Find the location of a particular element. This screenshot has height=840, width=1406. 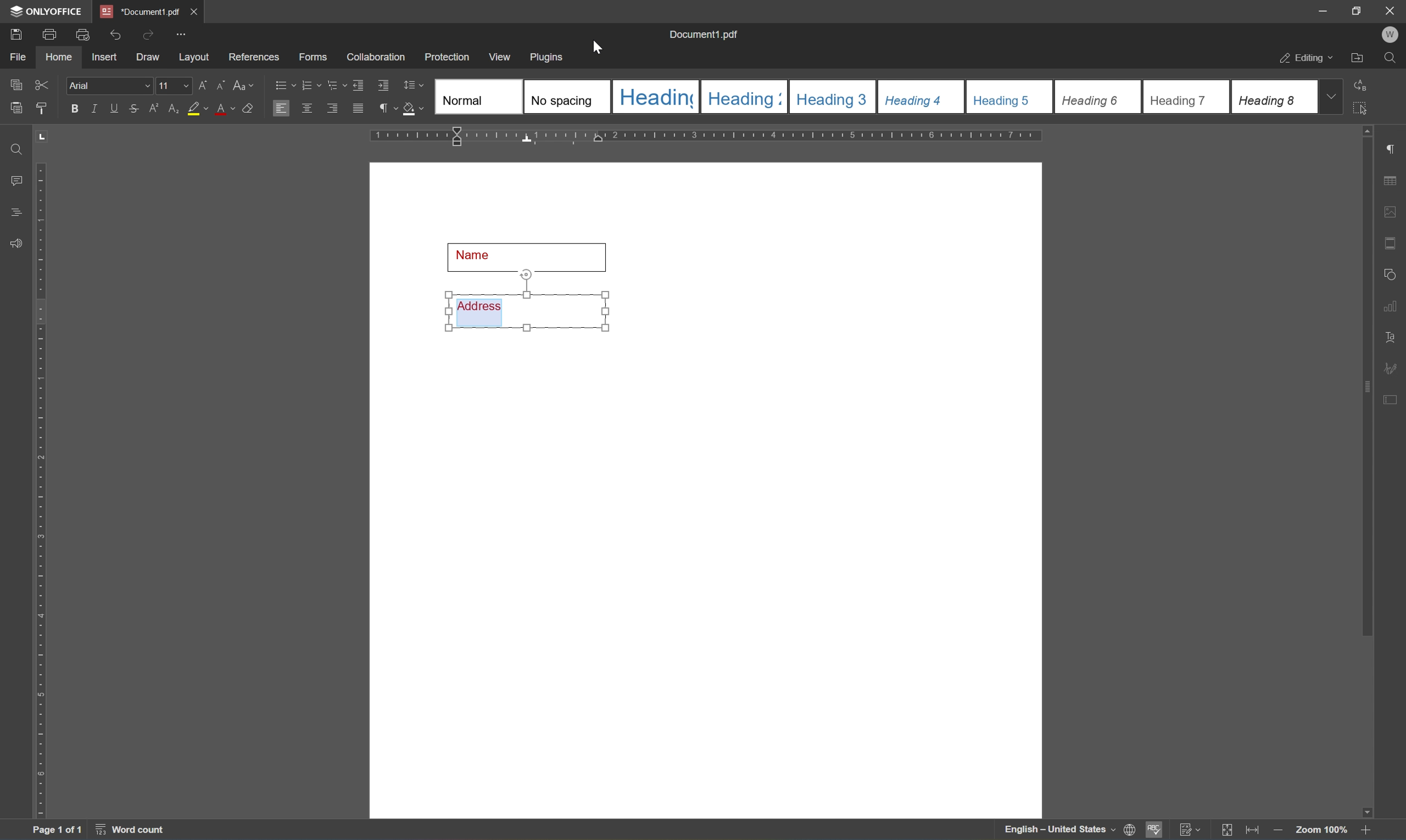

zoom in is located at coordinates (1276, 830).